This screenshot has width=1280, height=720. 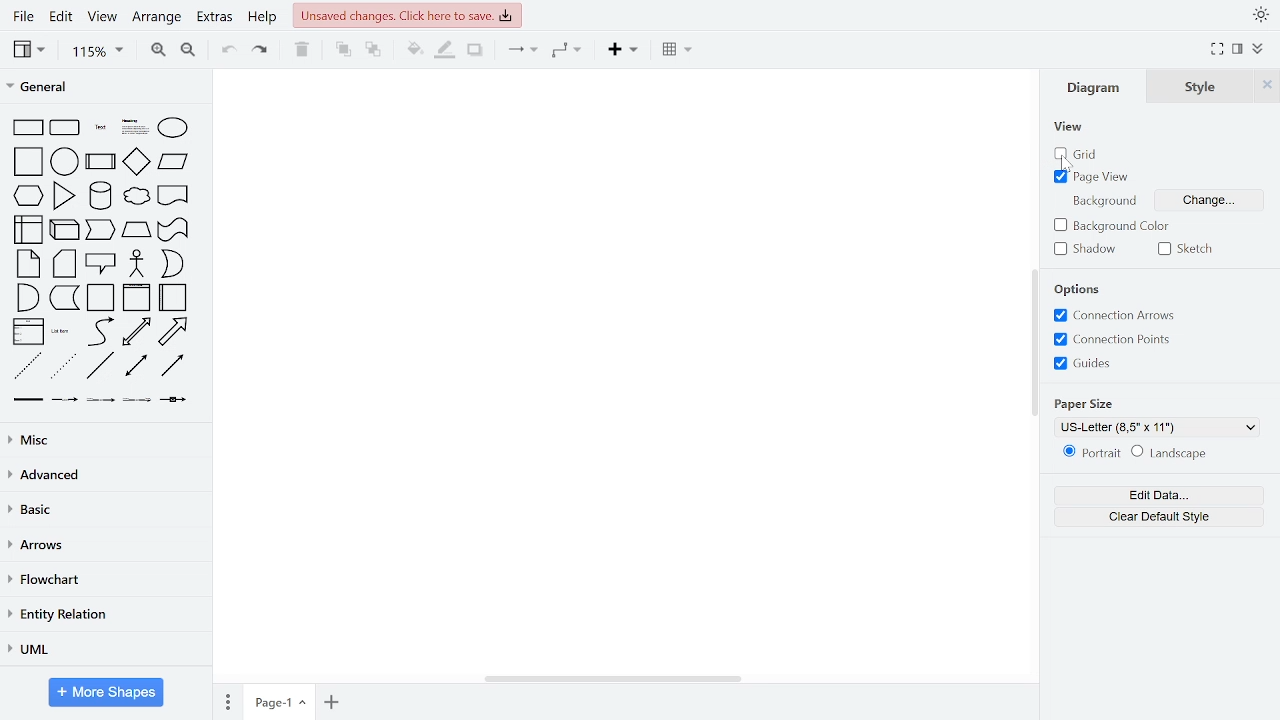 I want to click on cube, so click(x=64, y=231).